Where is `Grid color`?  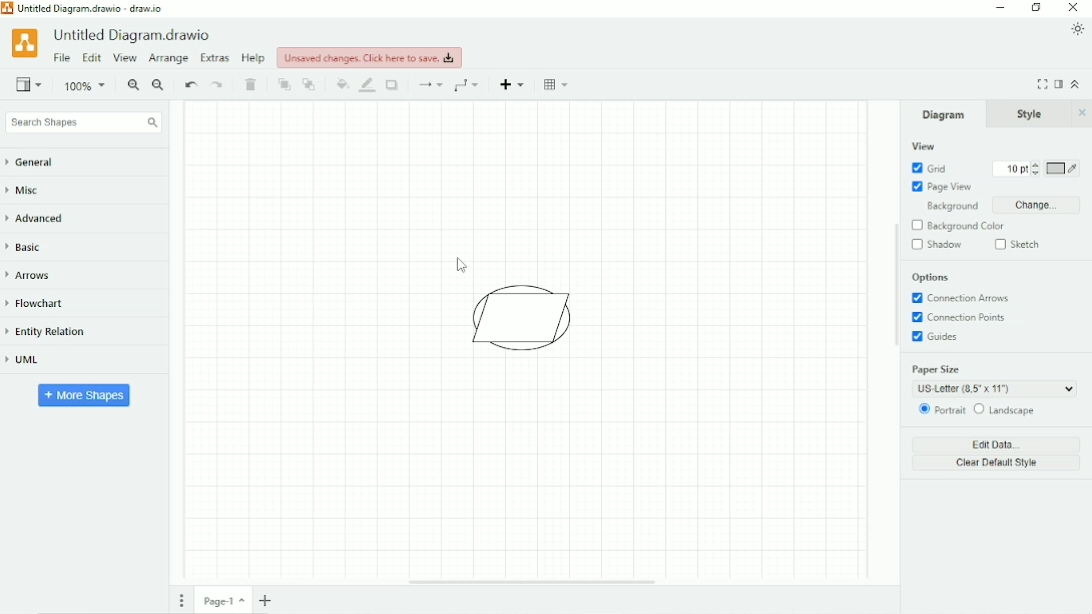
Grid color is located at coordinates (1063, 169).